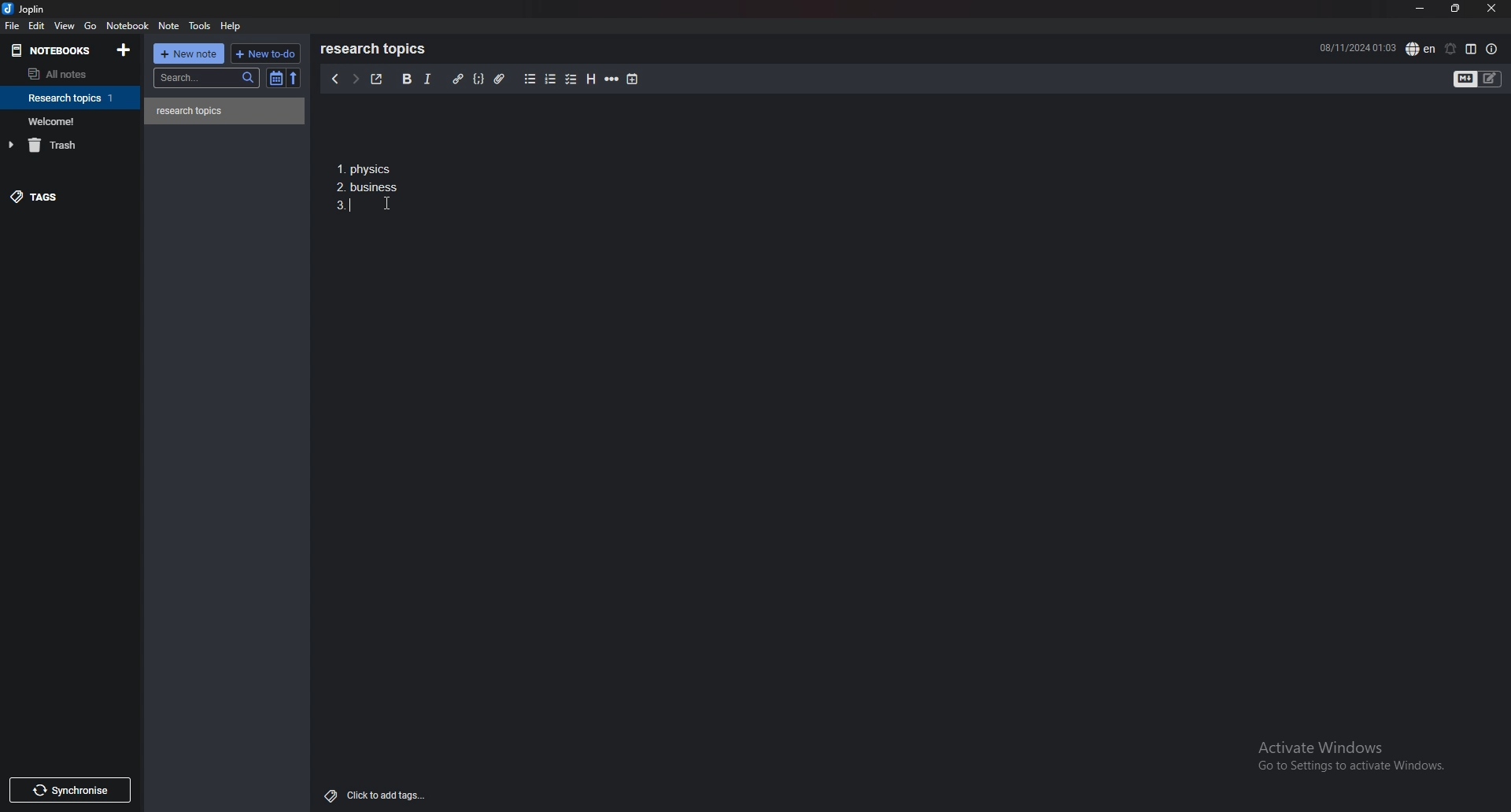 This screenshot has height=812, width=1511. I want to click on 1. Physics 2. business 3., so click(377, 193).